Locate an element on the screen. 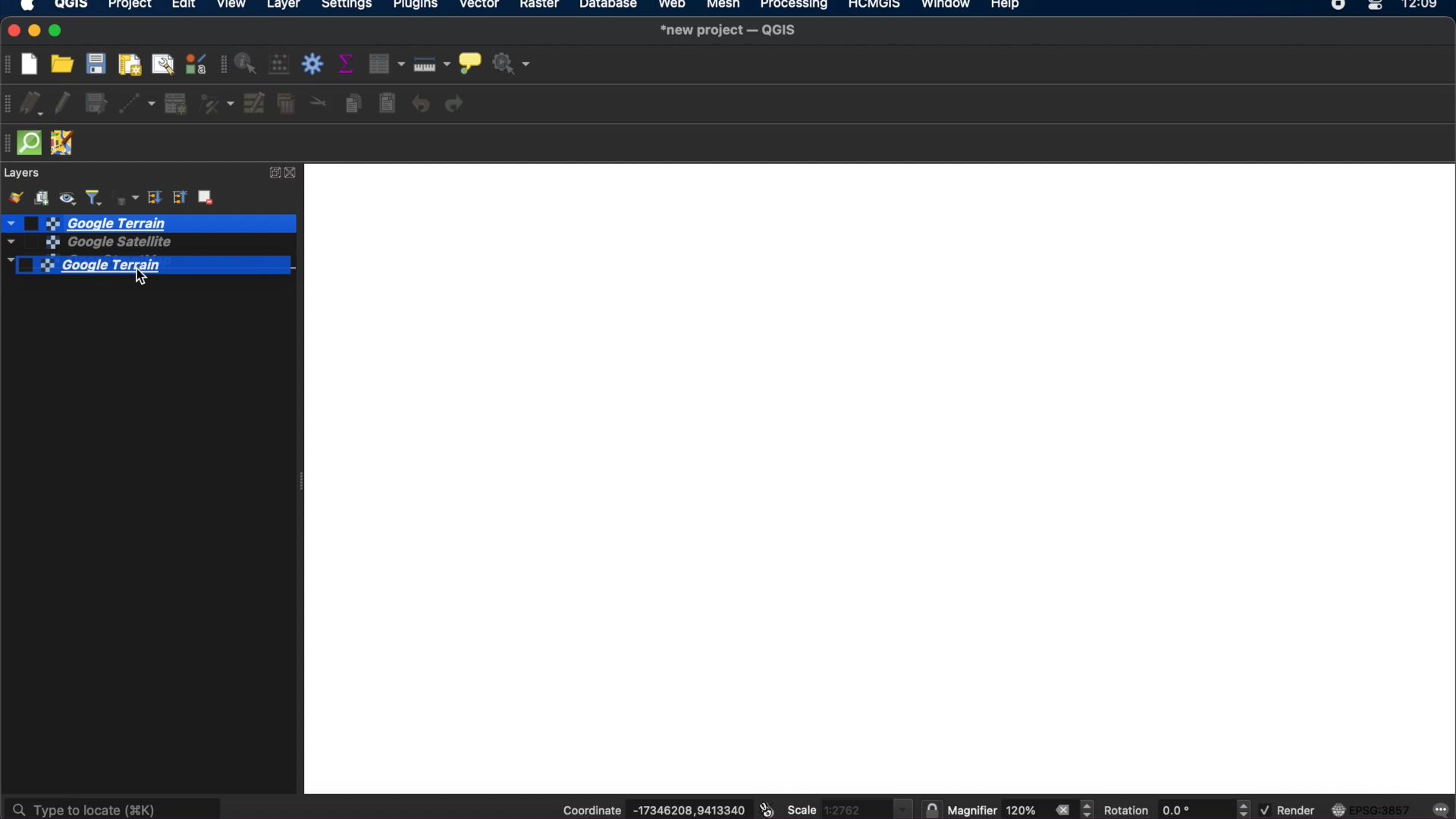  attributes toolbar is located at coordinates (221, 65).